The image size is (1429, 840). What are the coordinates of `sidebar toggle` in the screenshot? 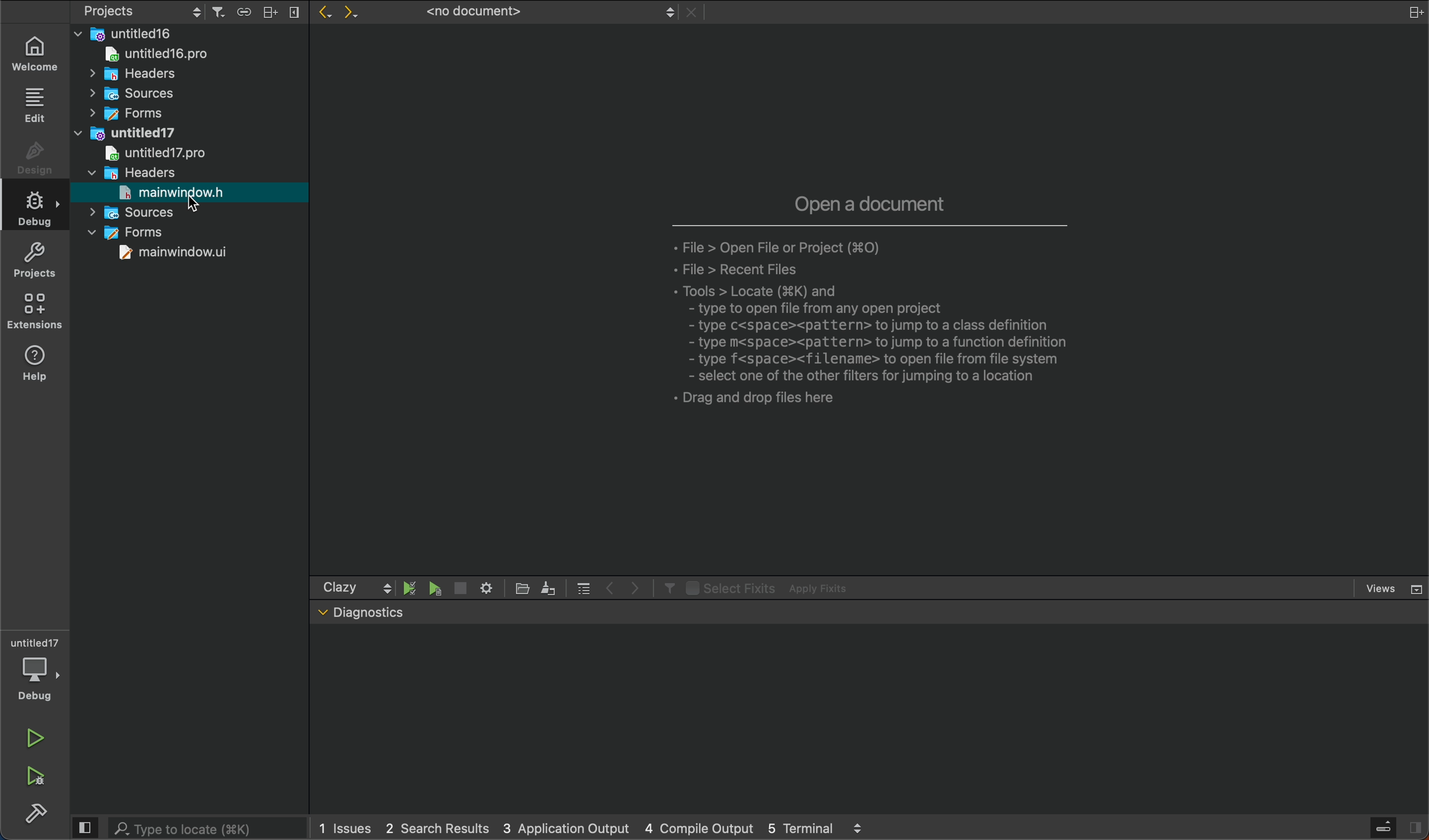 It's located at (1398, 828).